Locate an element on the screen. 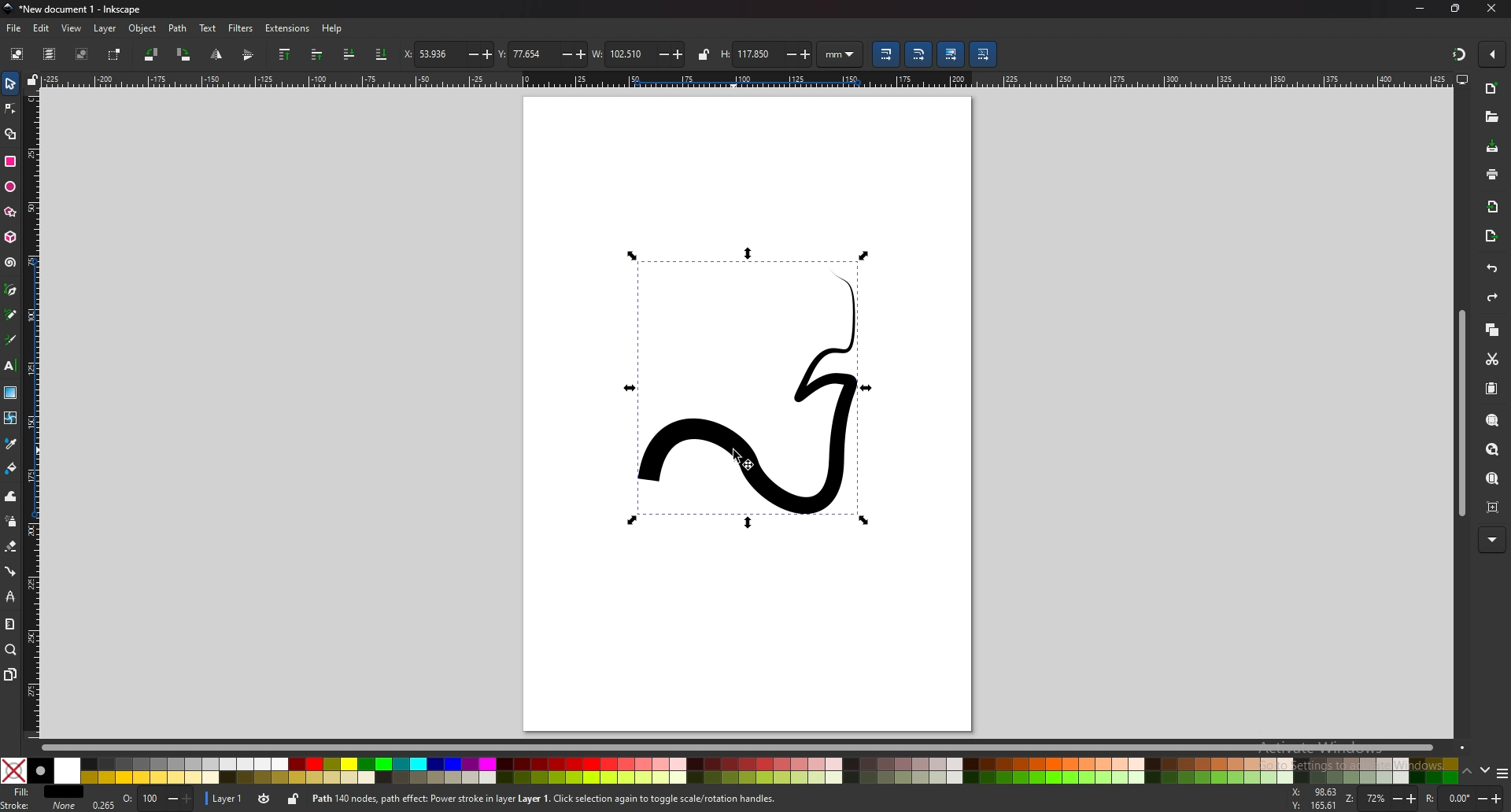 This screenshot has width=1511, height=812. minimize is located at coordinates (1420, 8).